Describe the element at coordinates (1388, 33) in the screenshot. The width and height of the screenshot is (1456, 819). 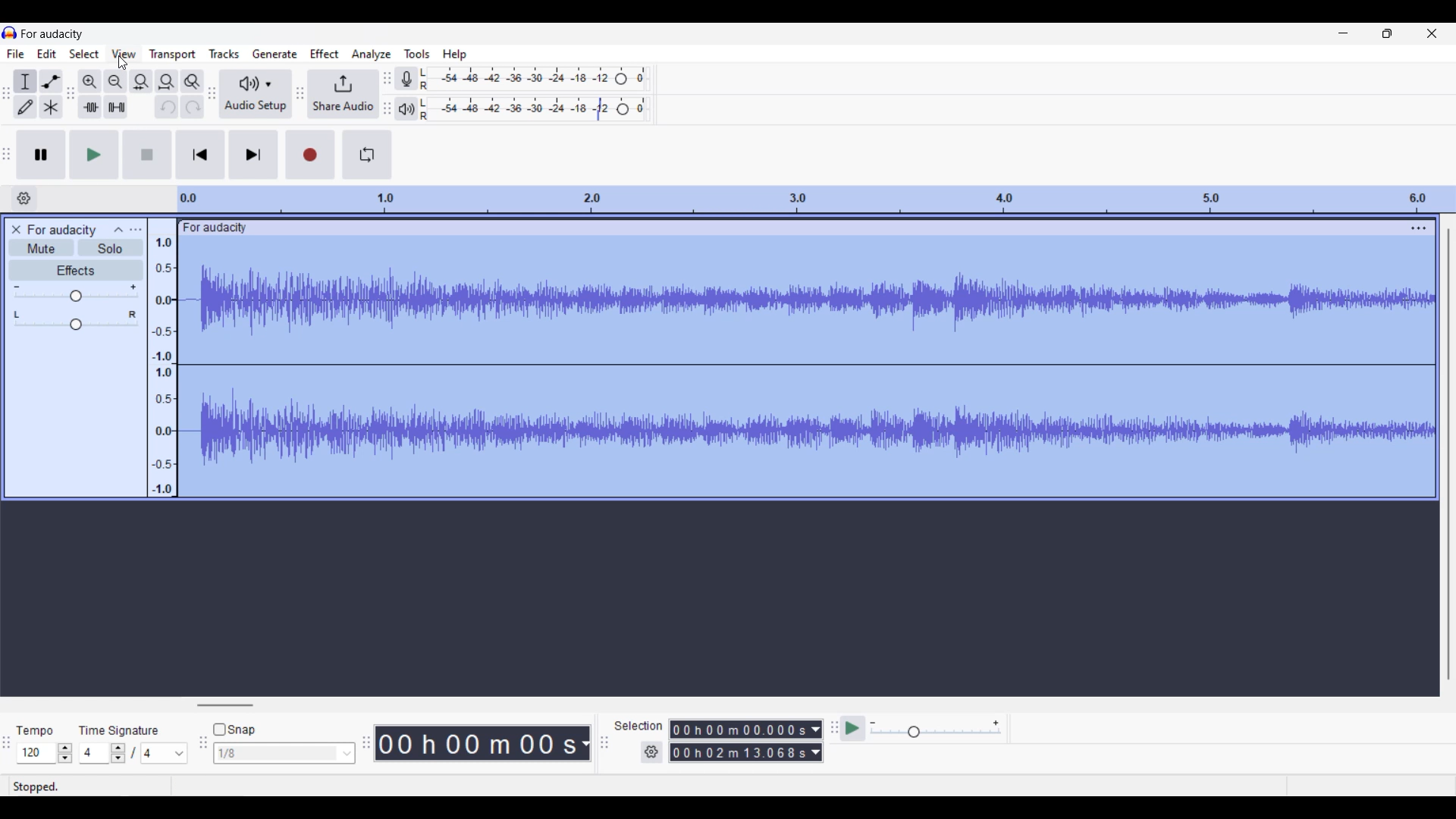
I see `Show in smaller tab` at that location.